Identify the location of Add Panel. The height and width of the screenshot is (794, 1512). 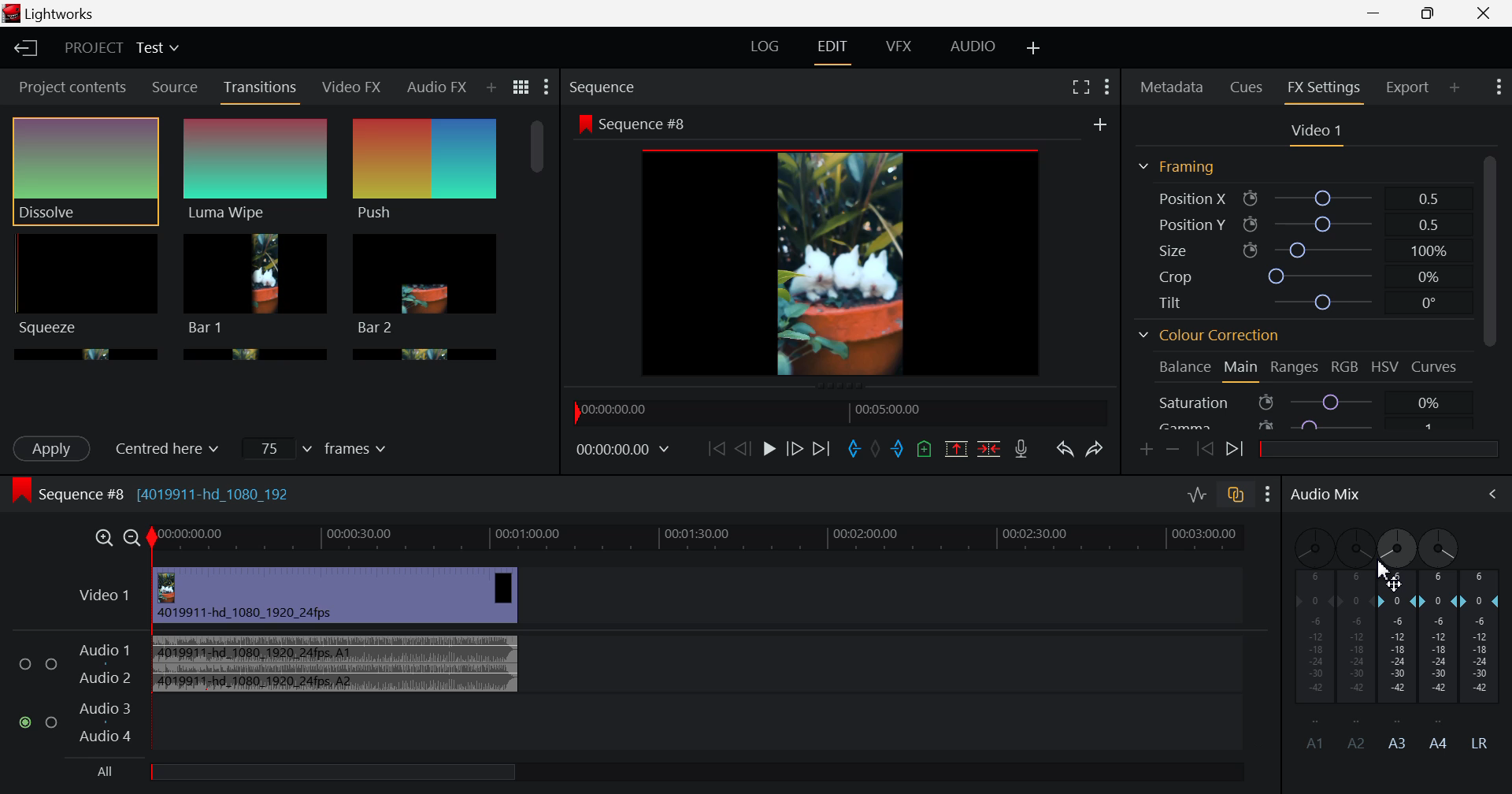
(1455, 87).